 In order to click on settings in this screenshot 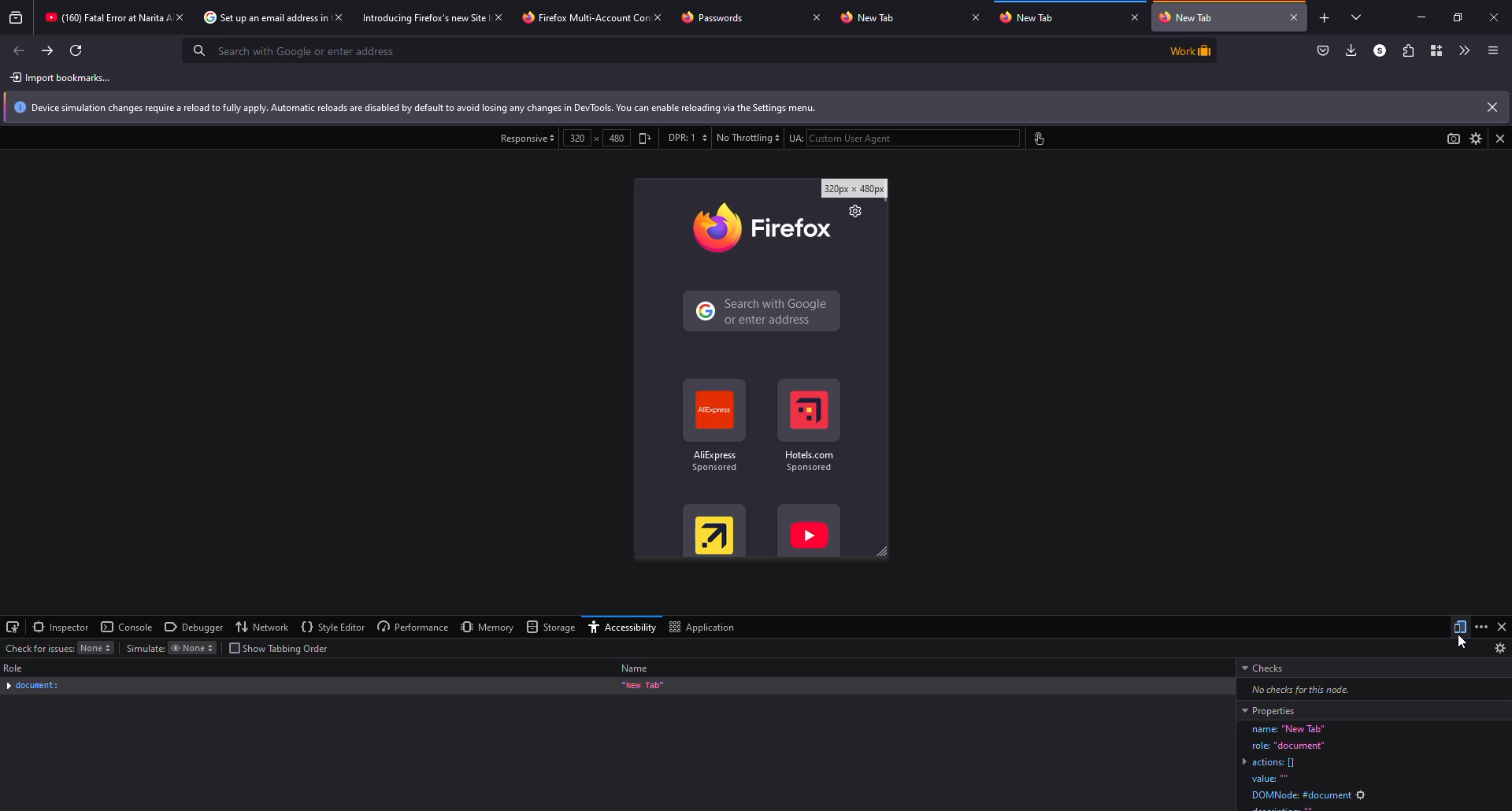, I will do `click(1474, 138)`.